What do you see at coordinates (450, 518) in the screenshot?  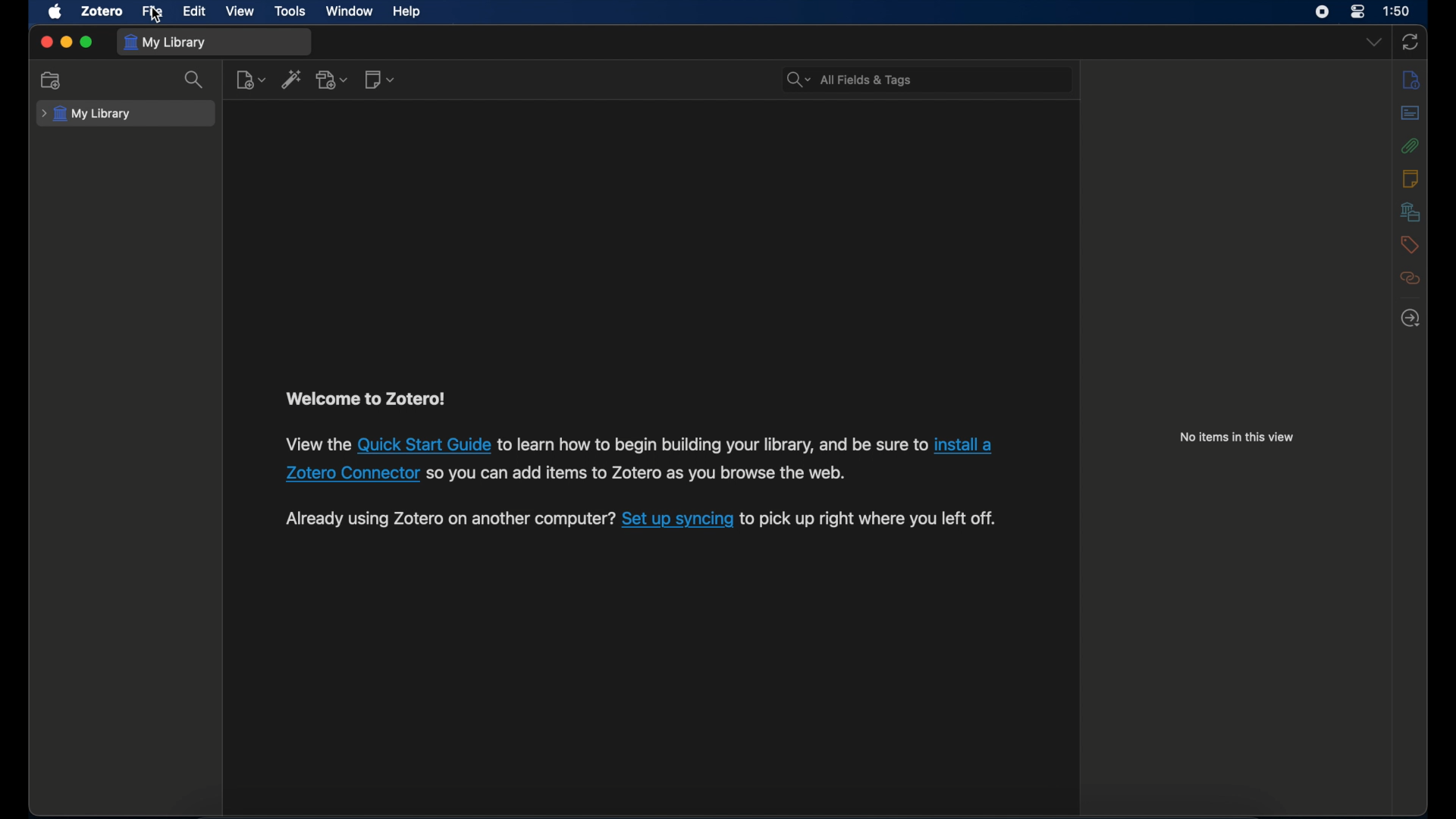 I see `Already using Zotero on another computer?` at bounding box center [450, 518].